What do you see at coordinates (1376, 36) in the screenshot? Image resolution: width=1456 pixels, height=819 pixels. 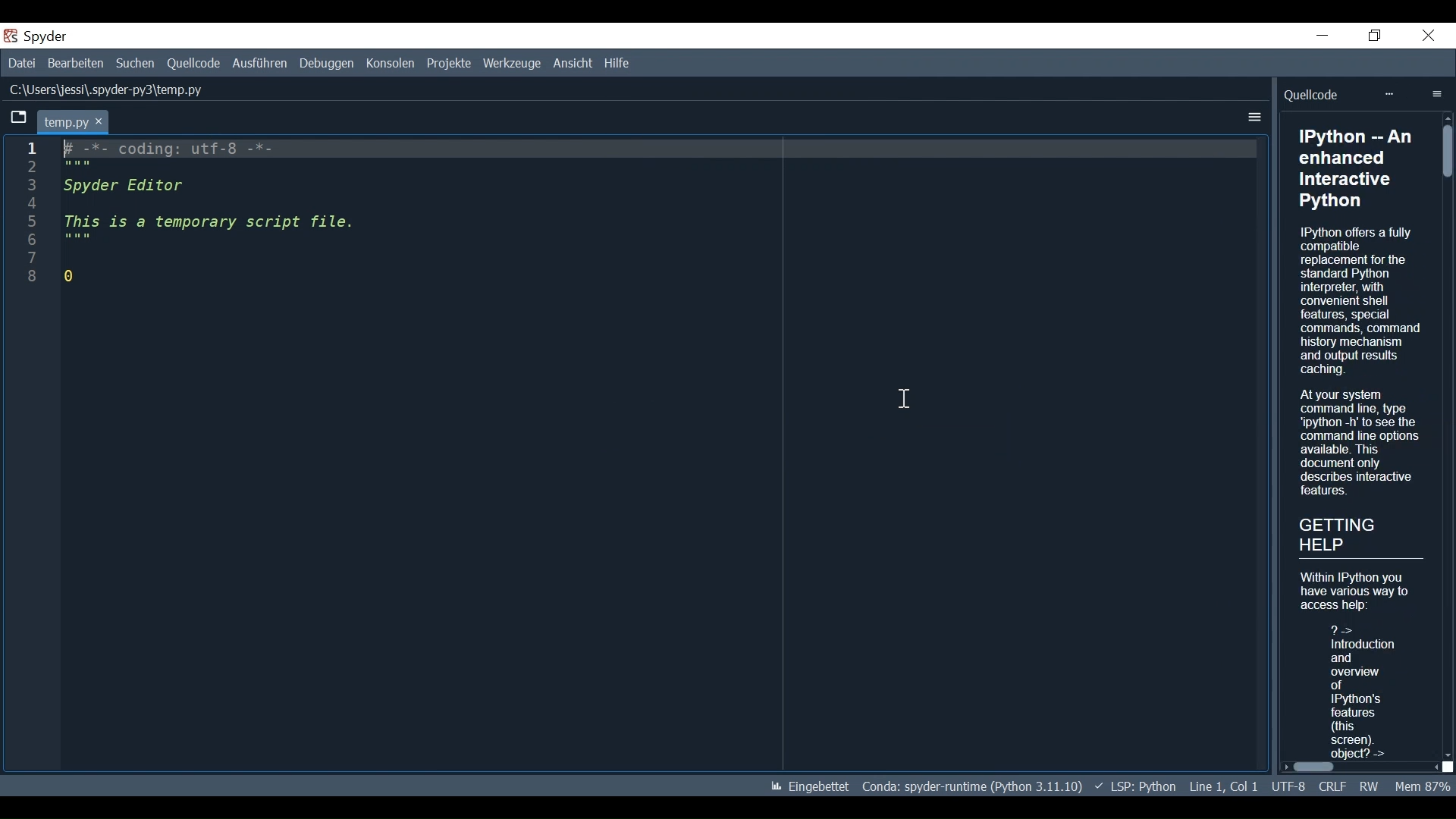 I see `Restore` at bounding box center [1376, 36].